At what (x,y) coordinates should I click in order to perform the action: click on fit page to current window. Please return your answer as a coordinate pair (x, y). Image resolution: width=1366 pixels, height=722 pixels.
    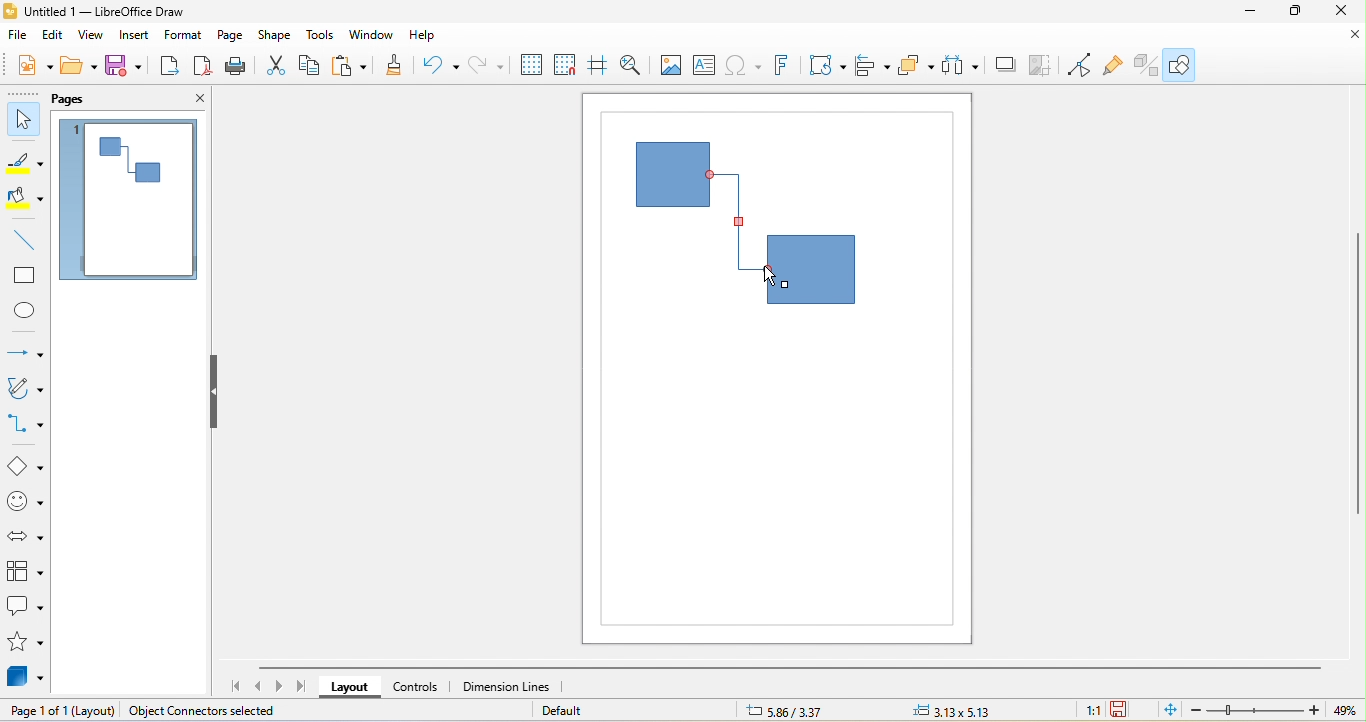
    Looking at the image, I should click on (1167, 712).